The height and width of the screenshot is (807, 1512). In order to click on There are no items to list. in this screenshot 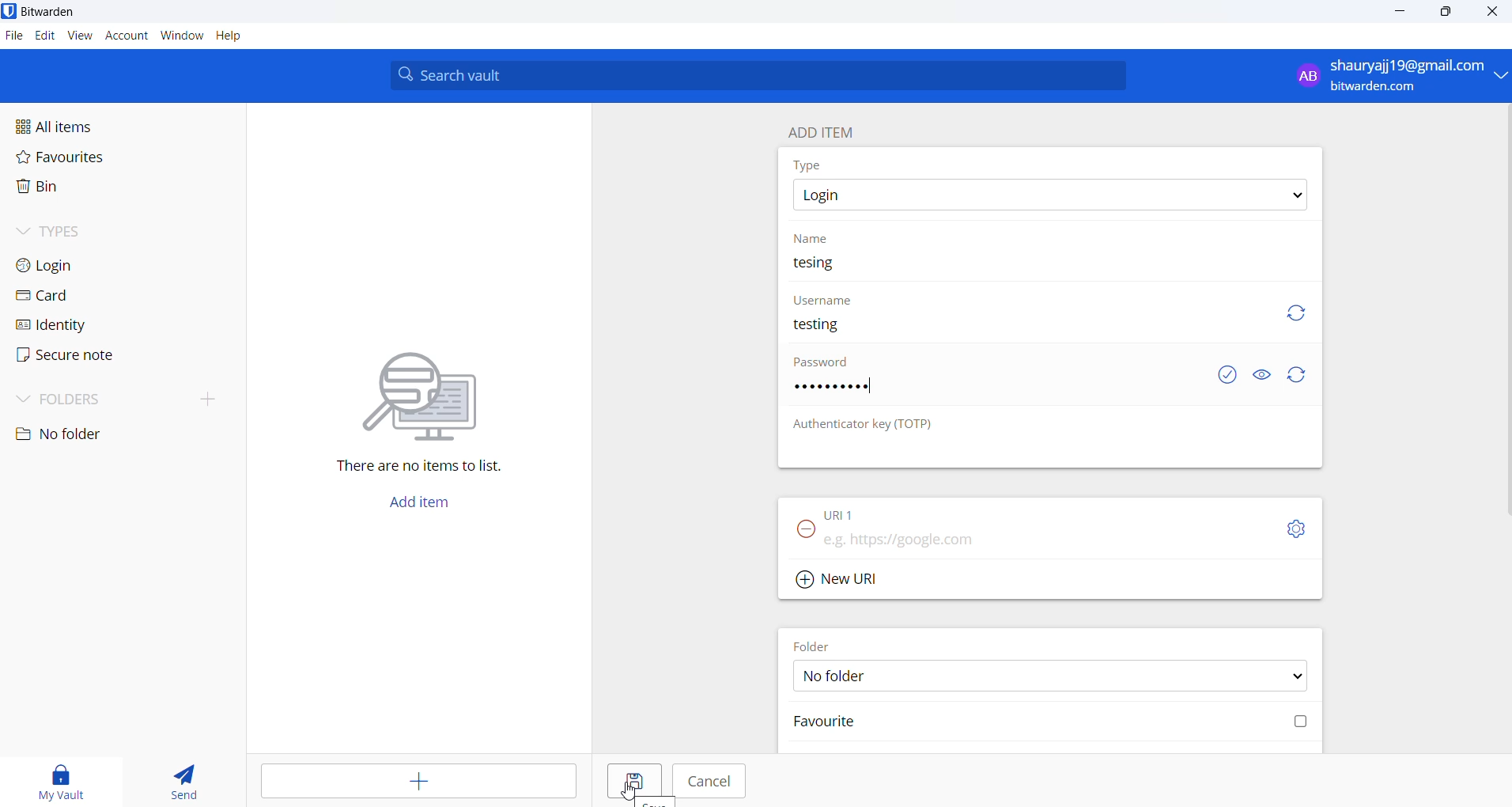, I will do `click(427, 468)`.